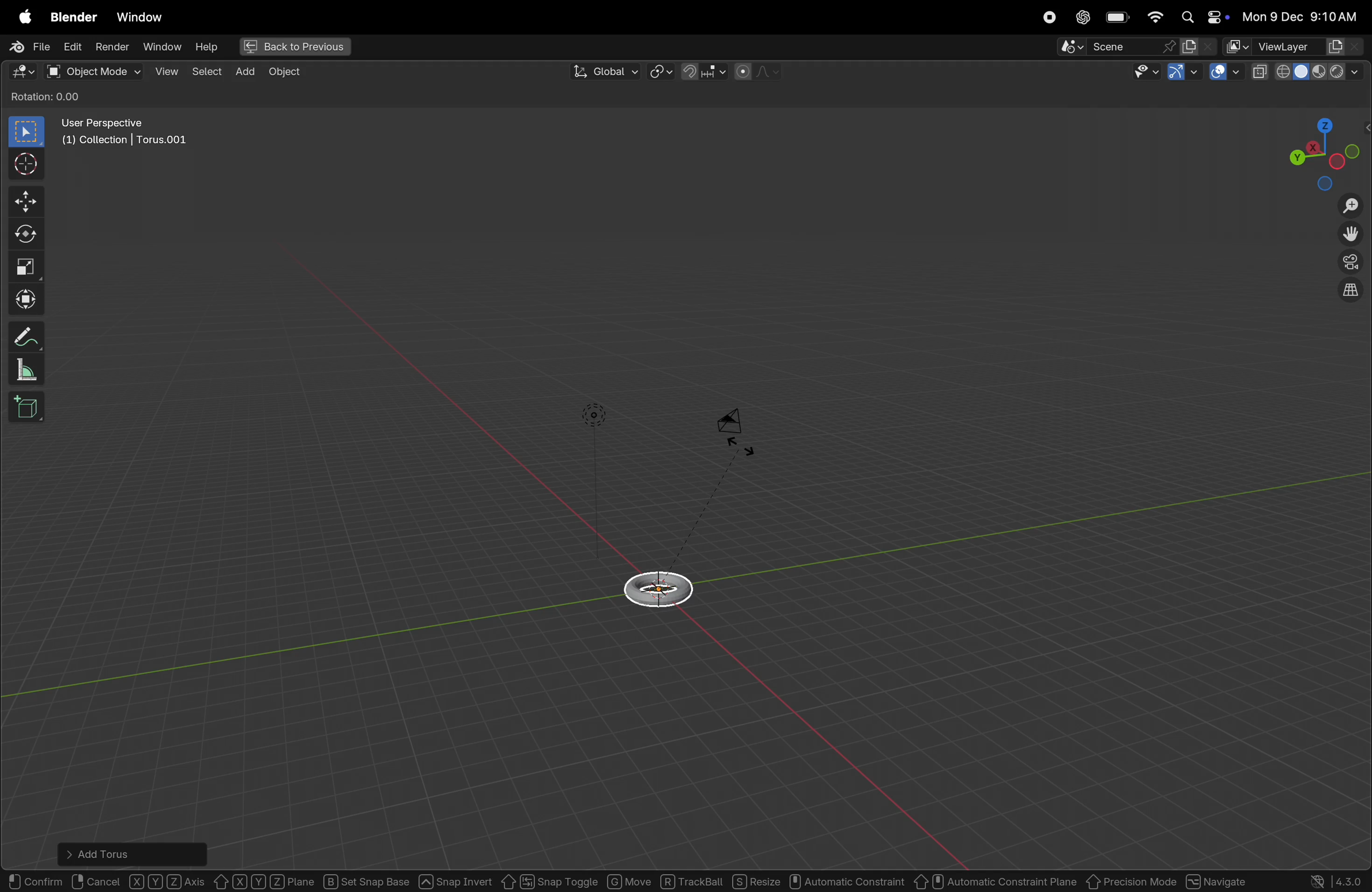 This screenshot has height=892, width=1372. What do you see at coordinates (1323, 70) in the screenshot?
I see `view shading` at bounding box center [1323, 70].